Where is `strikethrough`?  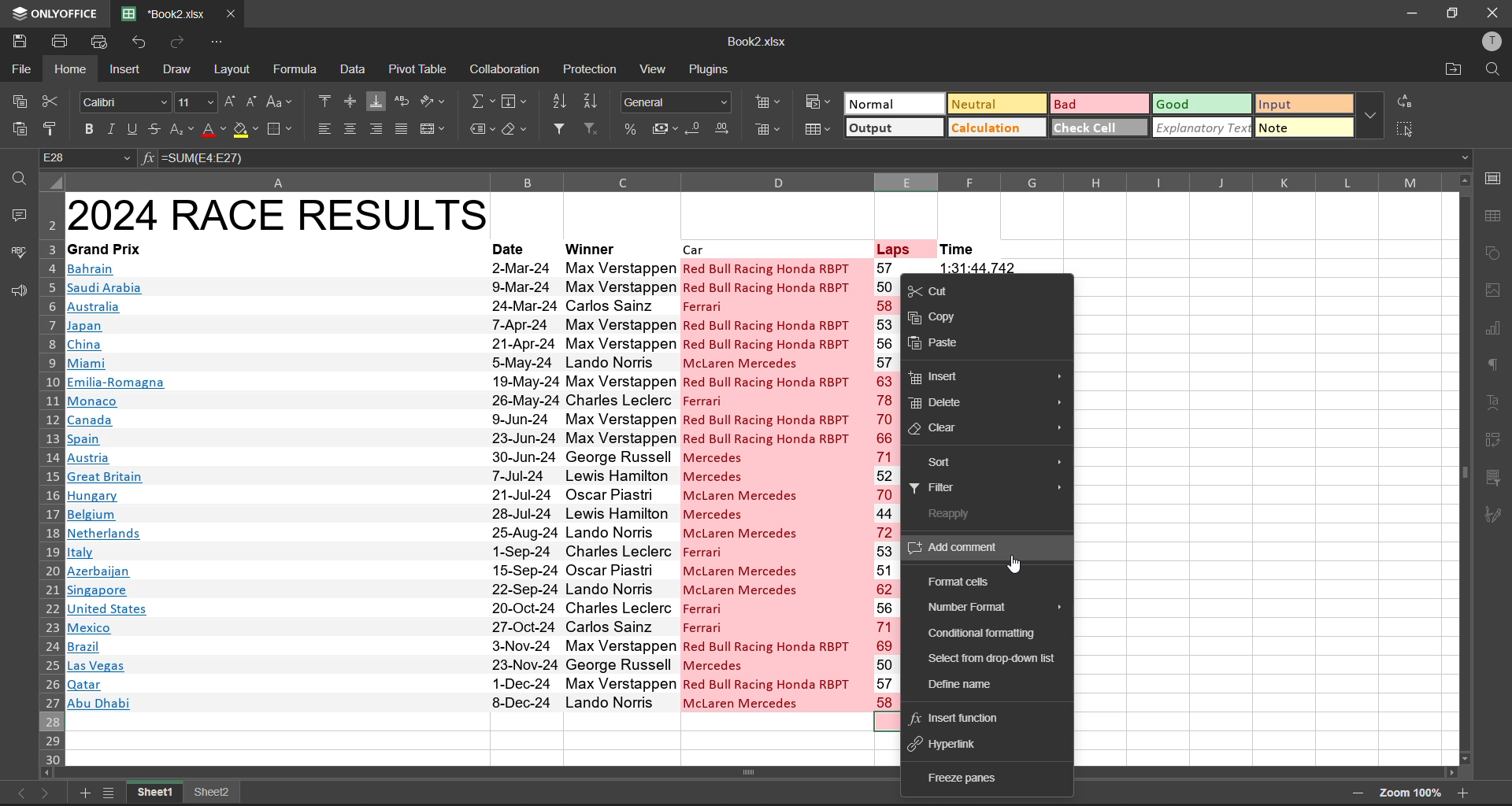
strikethrough is located at coordinates (157, 130).